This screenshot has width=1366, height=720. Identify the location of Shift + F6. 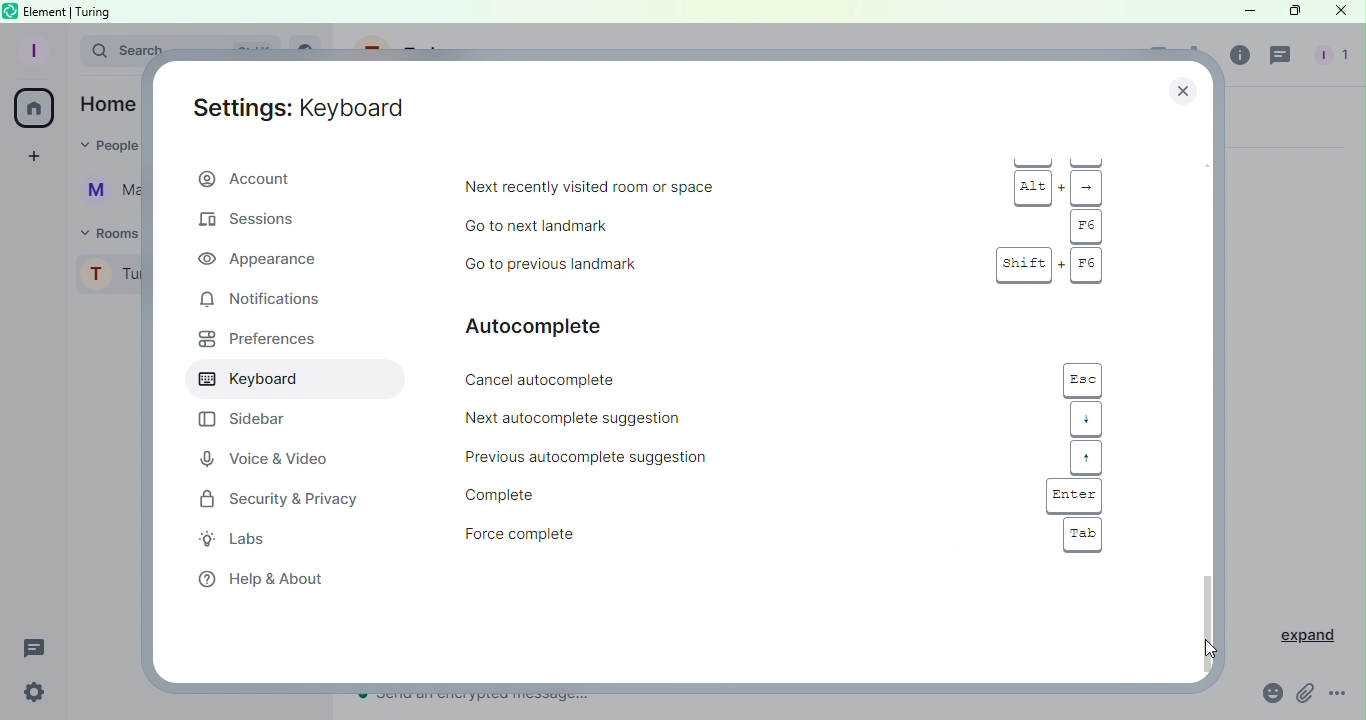
(1048, 264).